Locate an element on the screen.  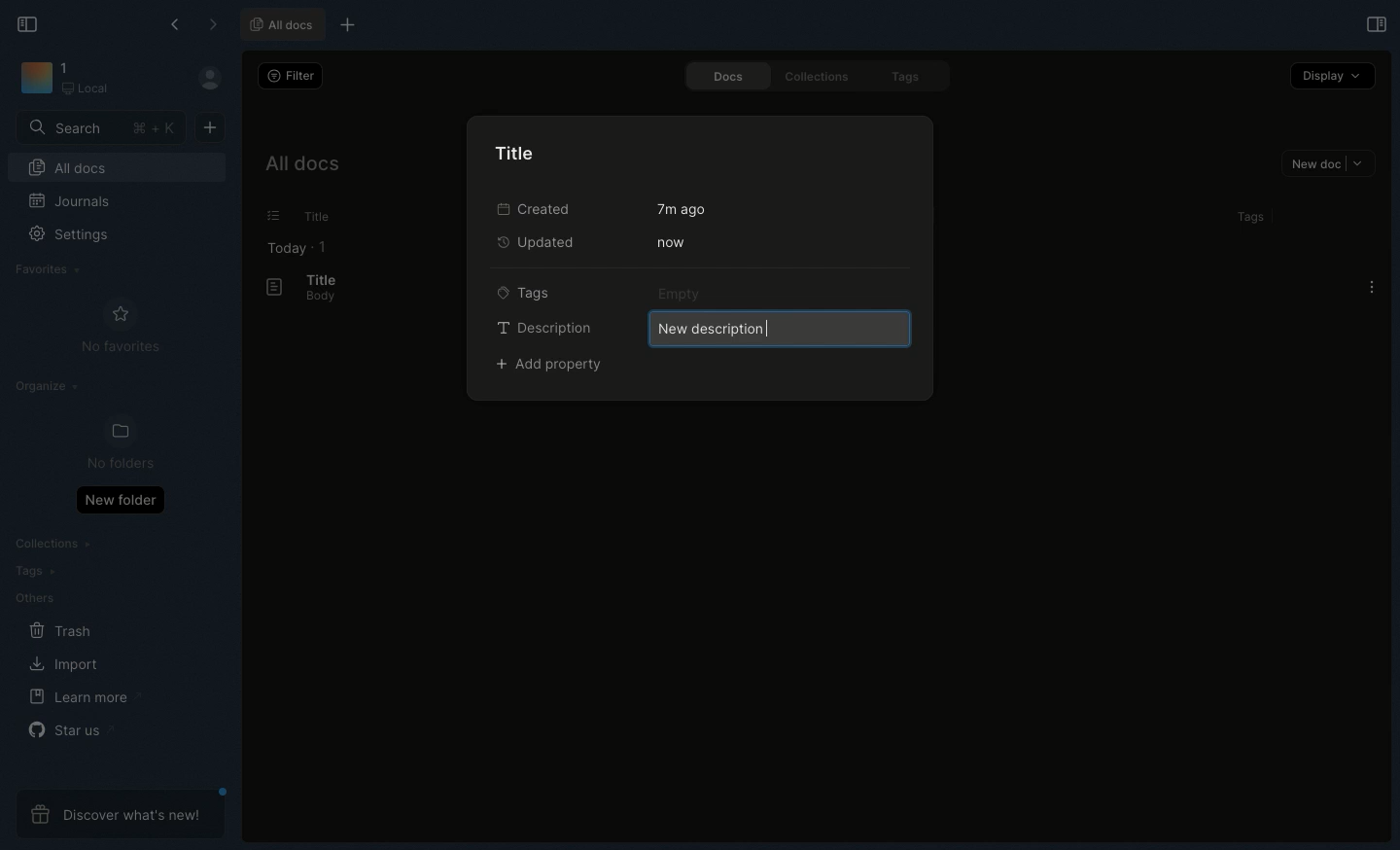
Add property is located at coordinates (550, 366).